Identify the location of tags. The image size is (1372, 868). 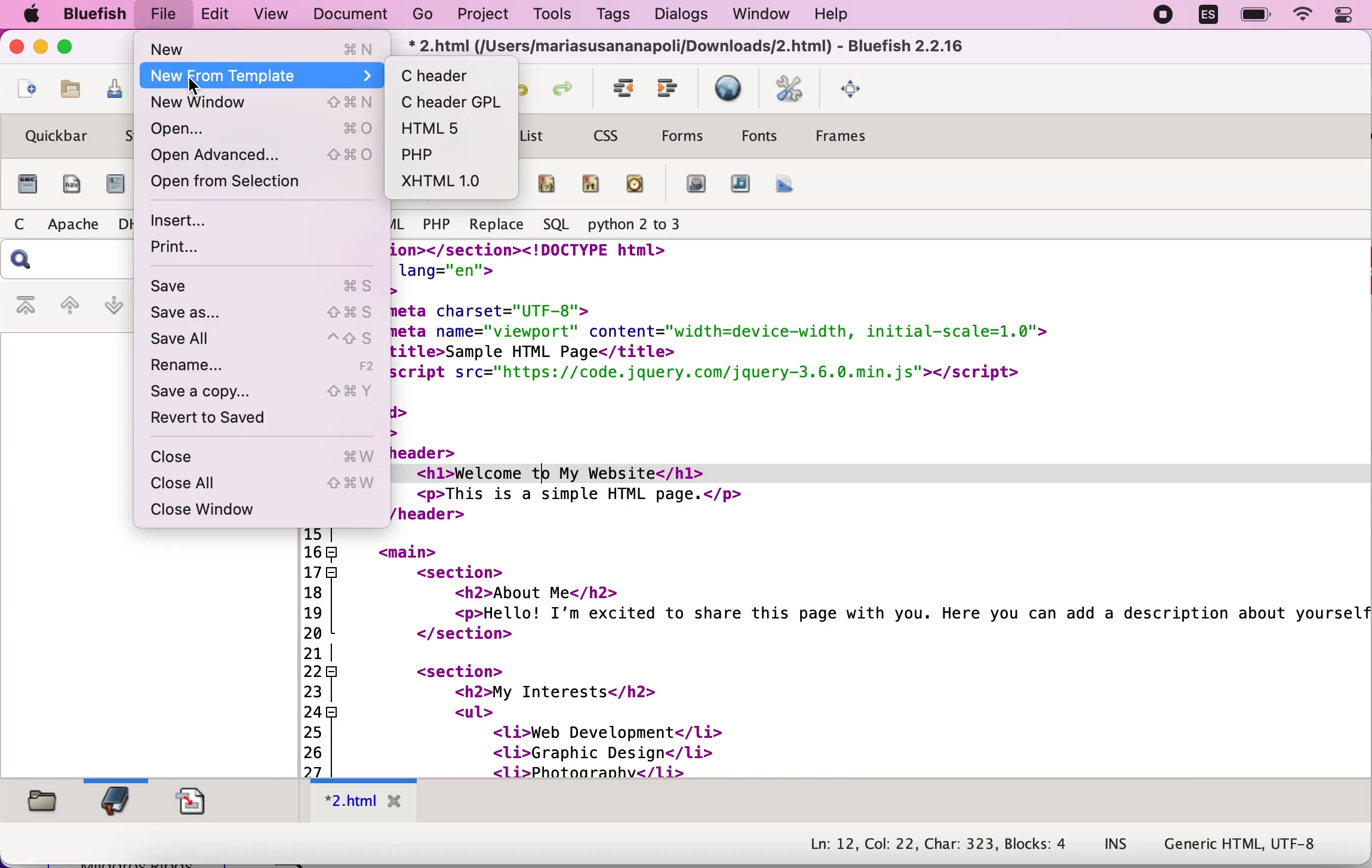
(612, 14).